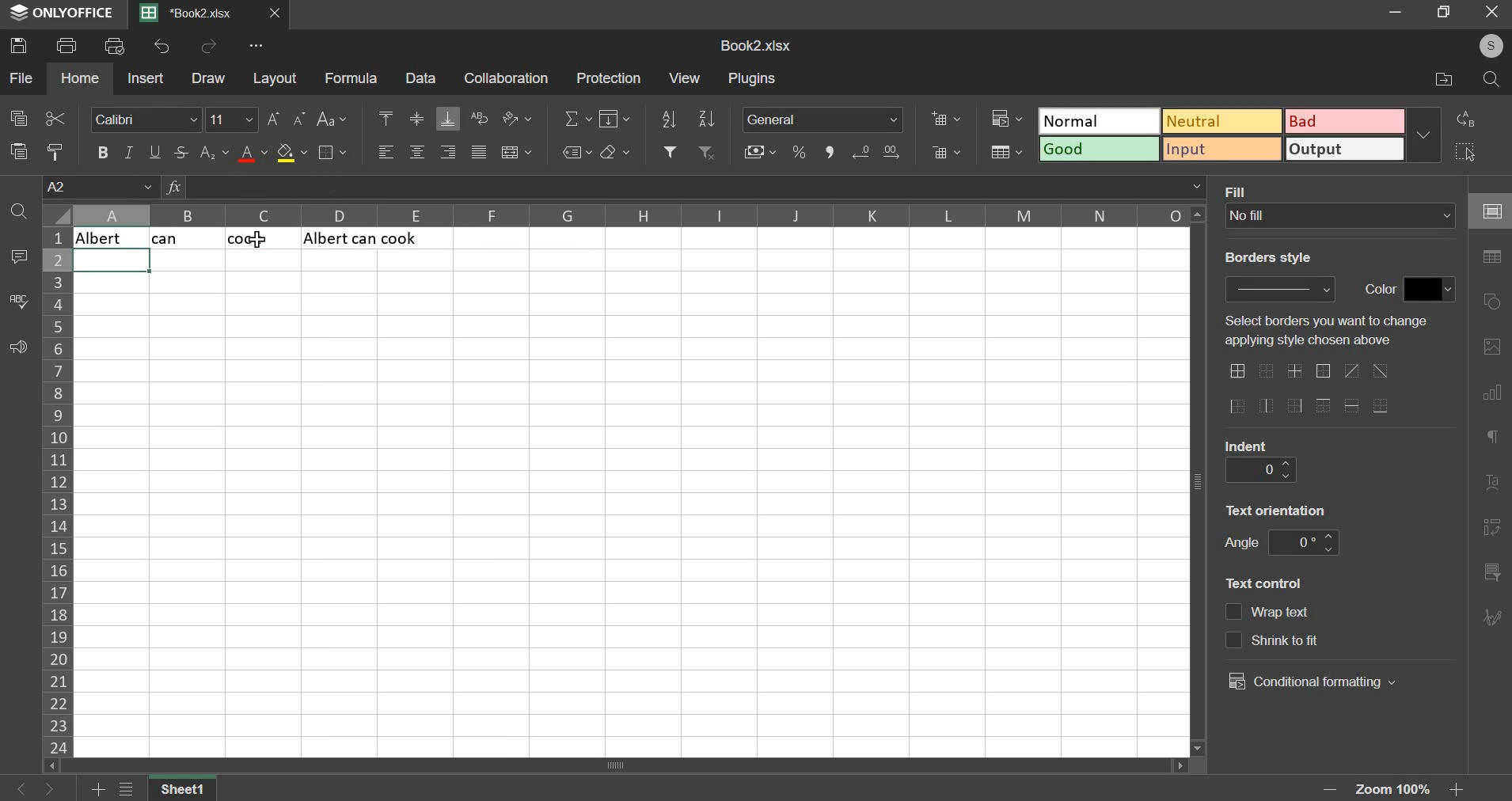 The image size is (1512, 801). Describe the element at coordinates (209, 79) in the screenshot. I see `draw` at that location.